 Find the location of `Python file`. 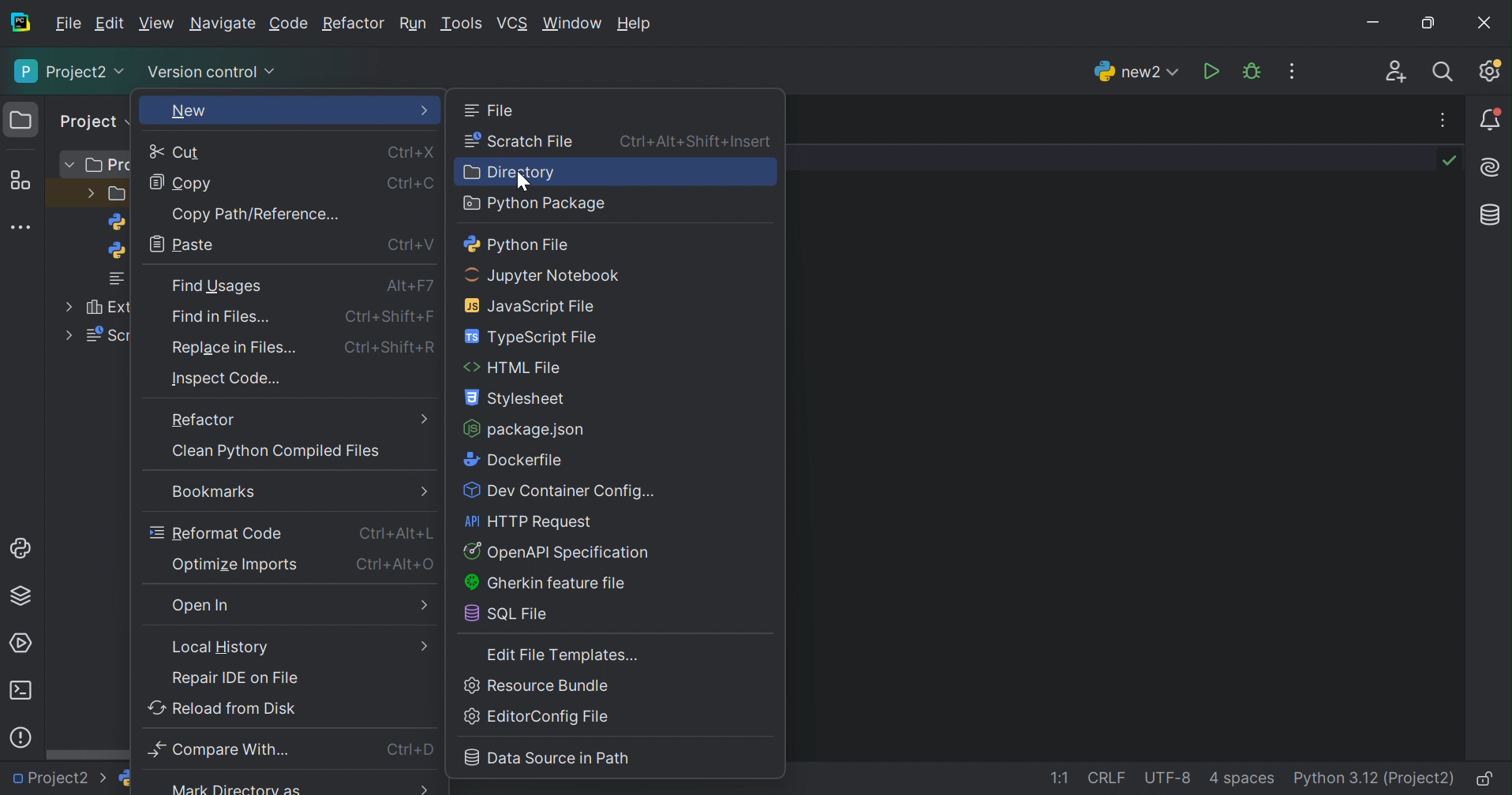

Python file is located at coordinates (518, 244).